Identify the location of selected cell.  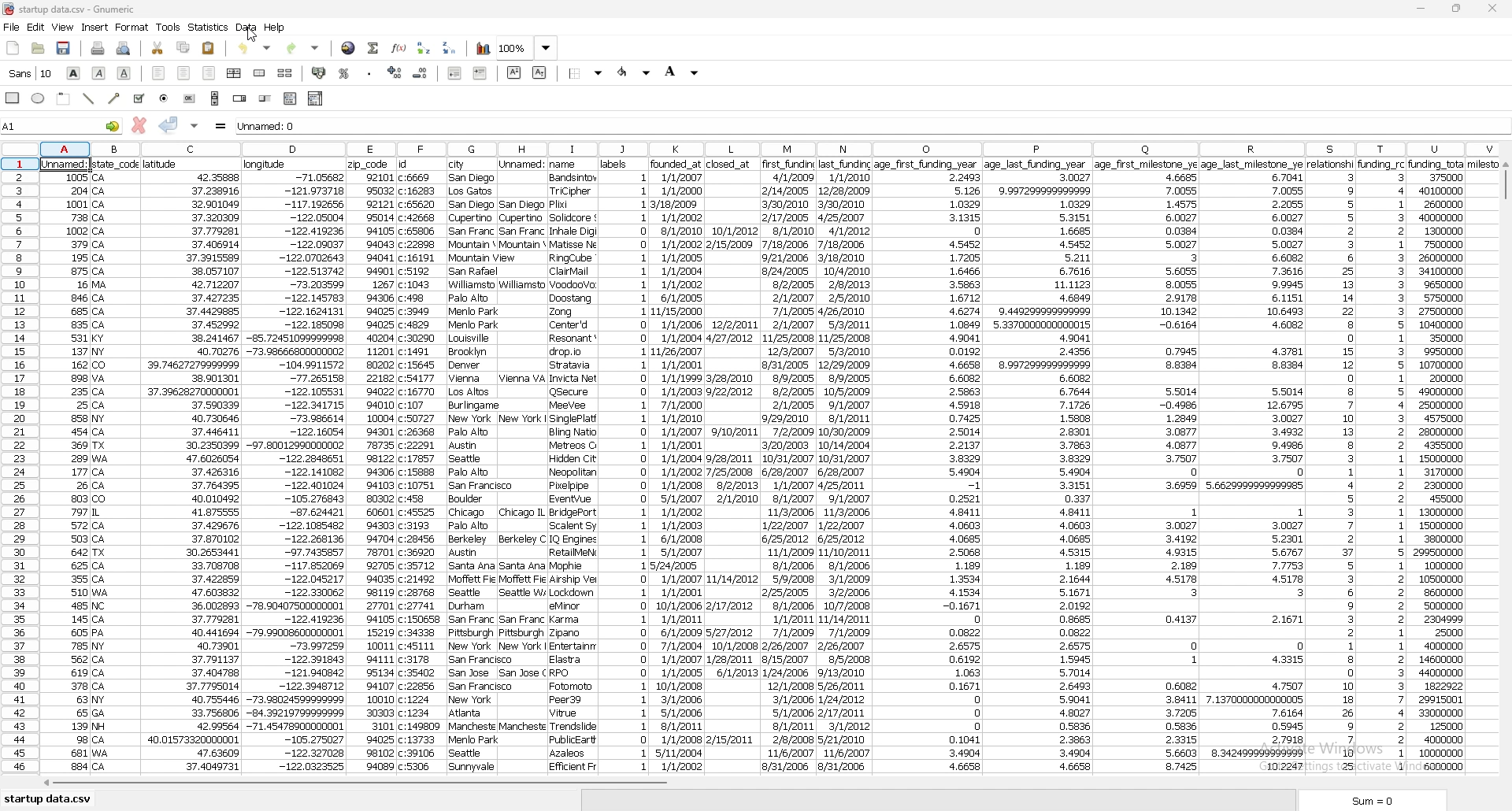
(68, 162).